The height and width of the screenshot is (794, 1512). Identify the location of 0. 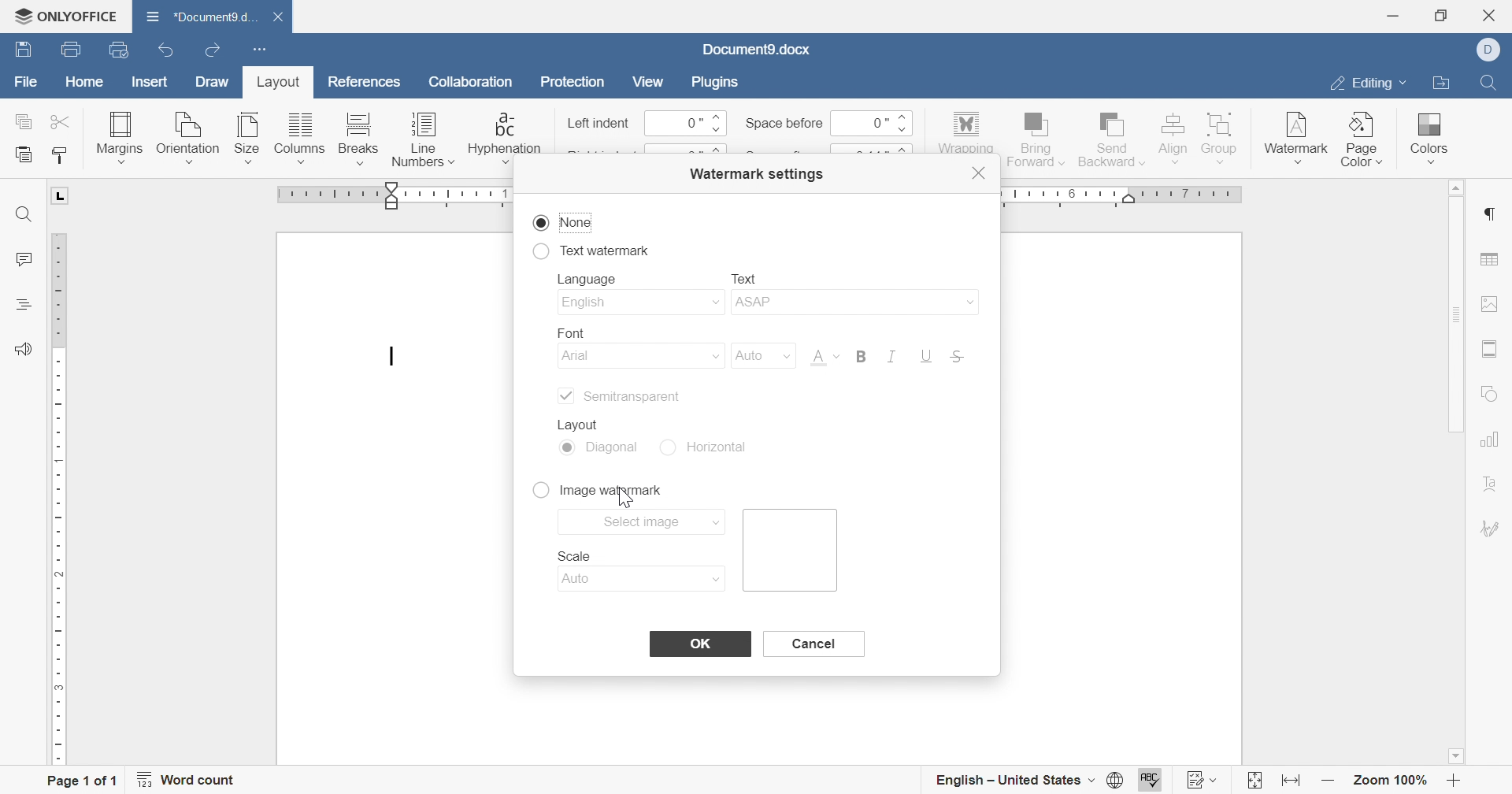
(686, 124).